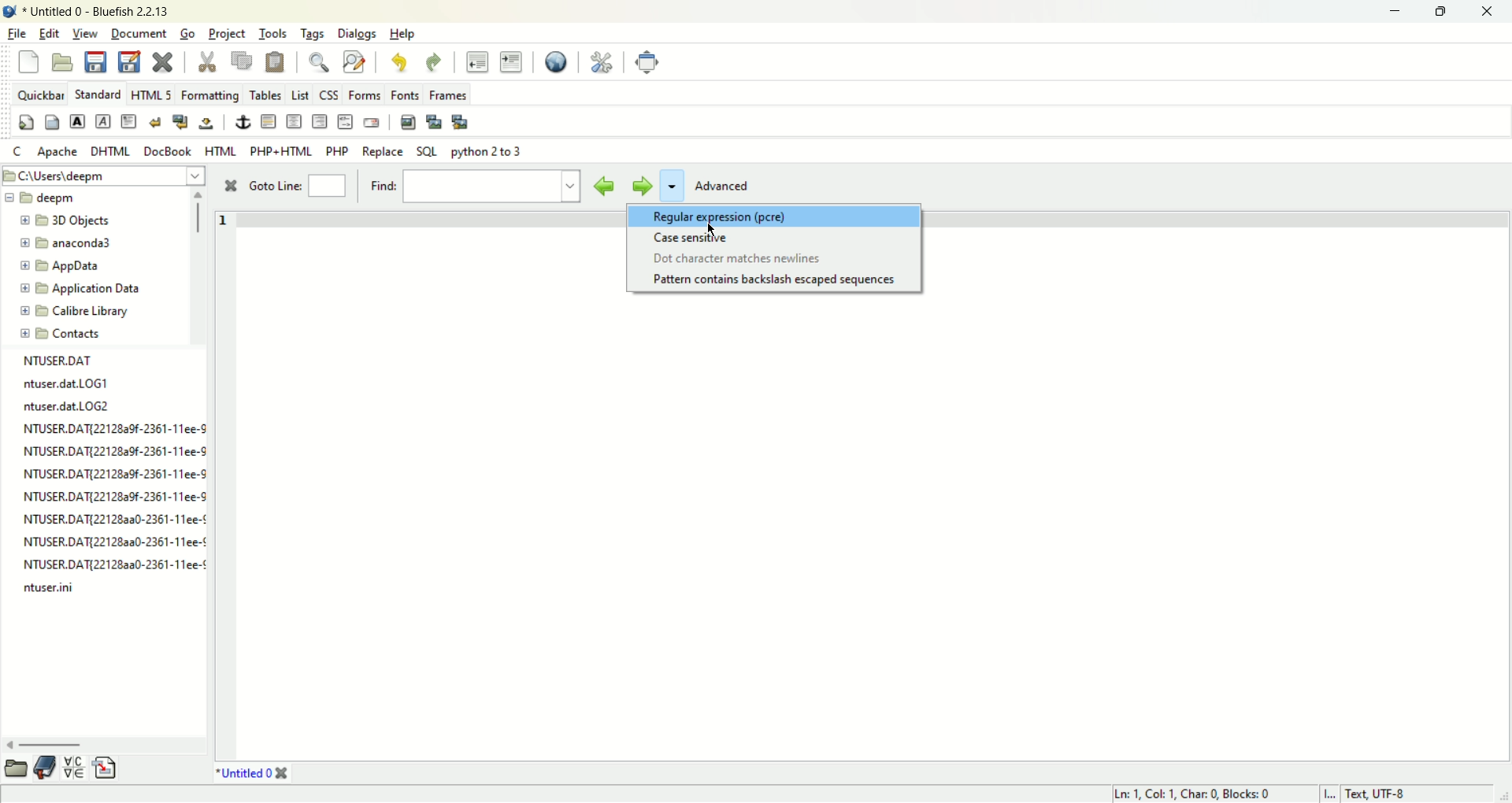 This screenshot has width=1512, height=803. I want to click on charmap, so click(75, 769).